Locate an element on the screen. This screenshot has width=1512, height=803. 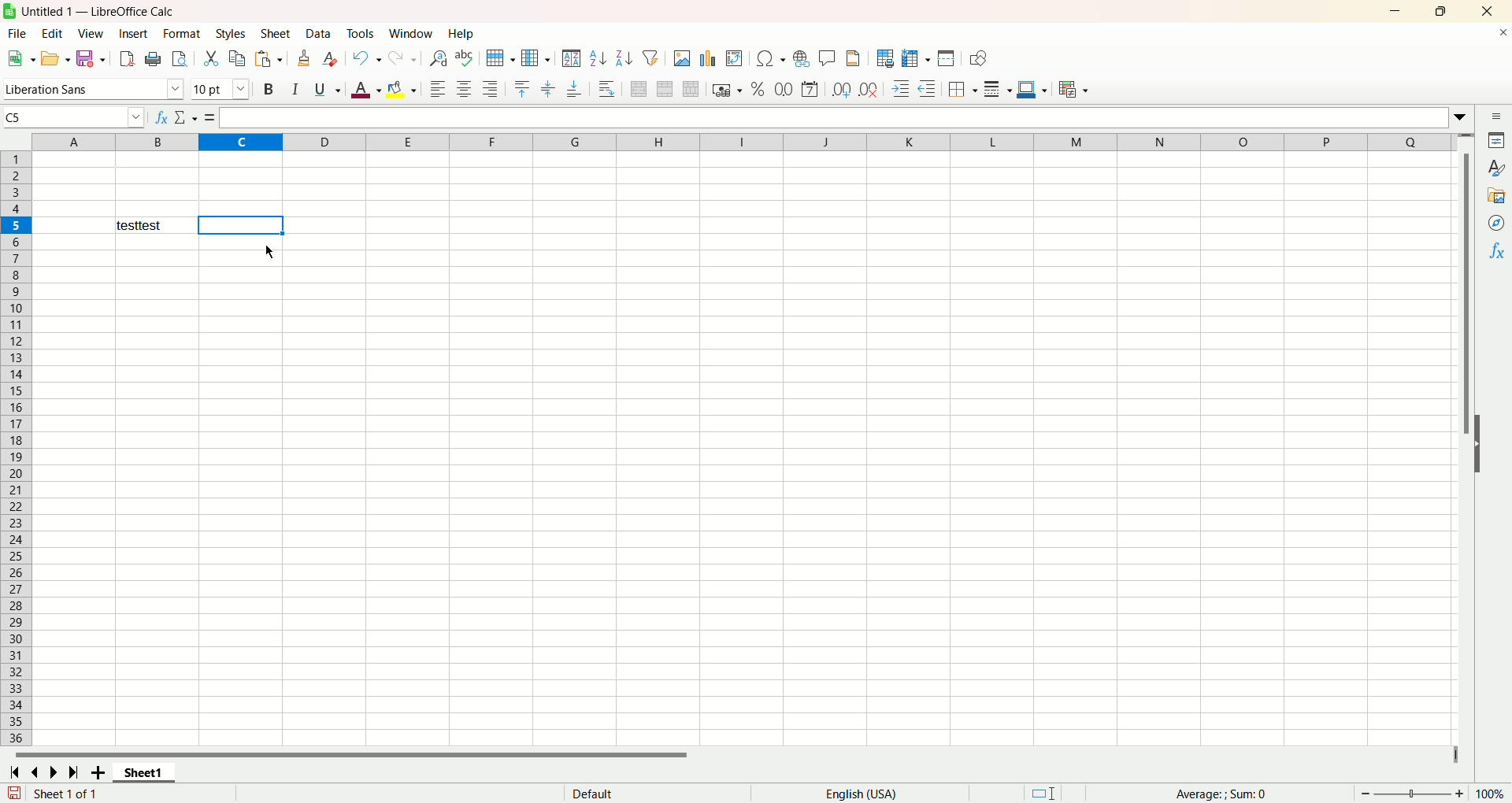
Expand formula bar is located at coordinates (1462, 117).